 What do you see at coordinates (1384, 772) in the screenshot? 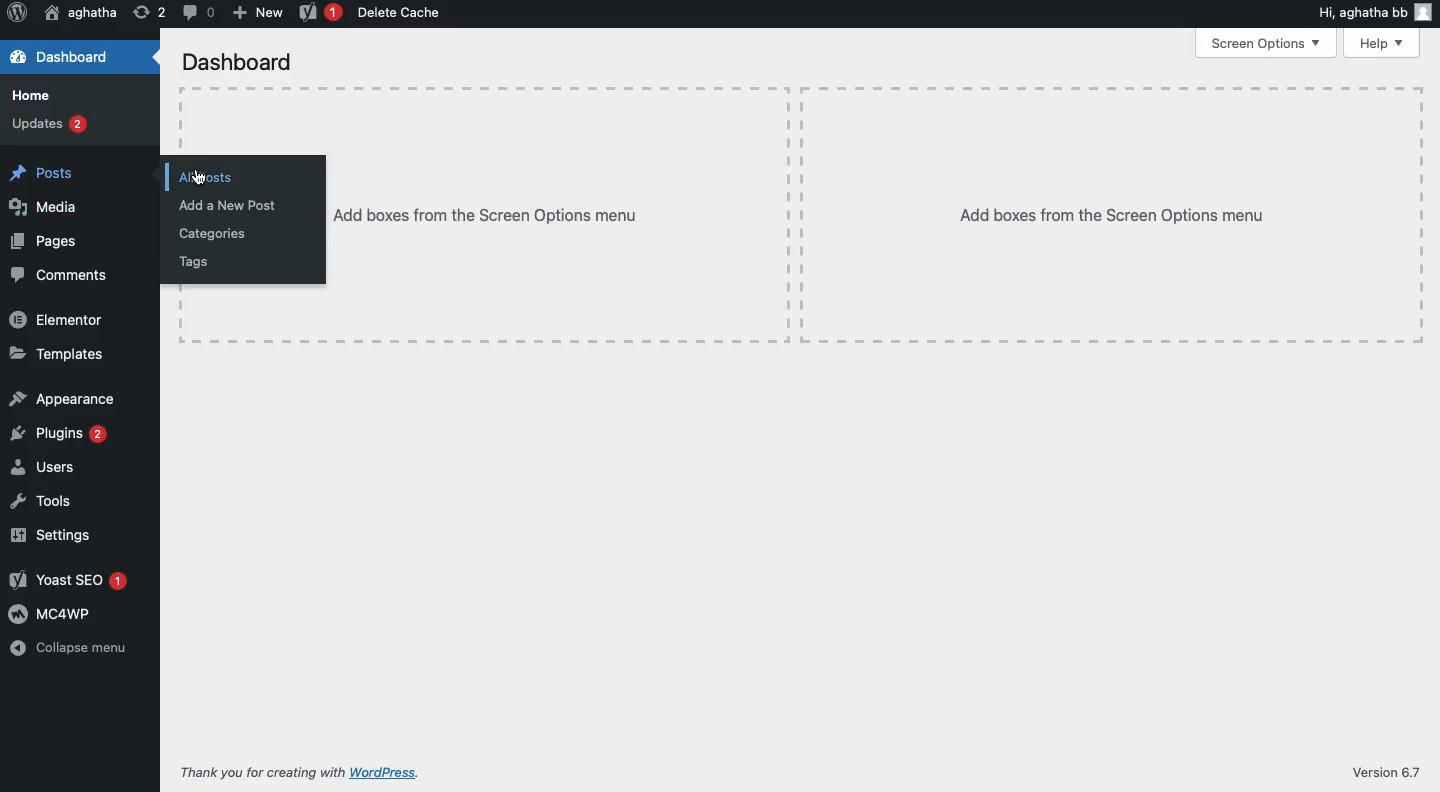
I see `Version 6.7` at bounding box center [1384, 772].